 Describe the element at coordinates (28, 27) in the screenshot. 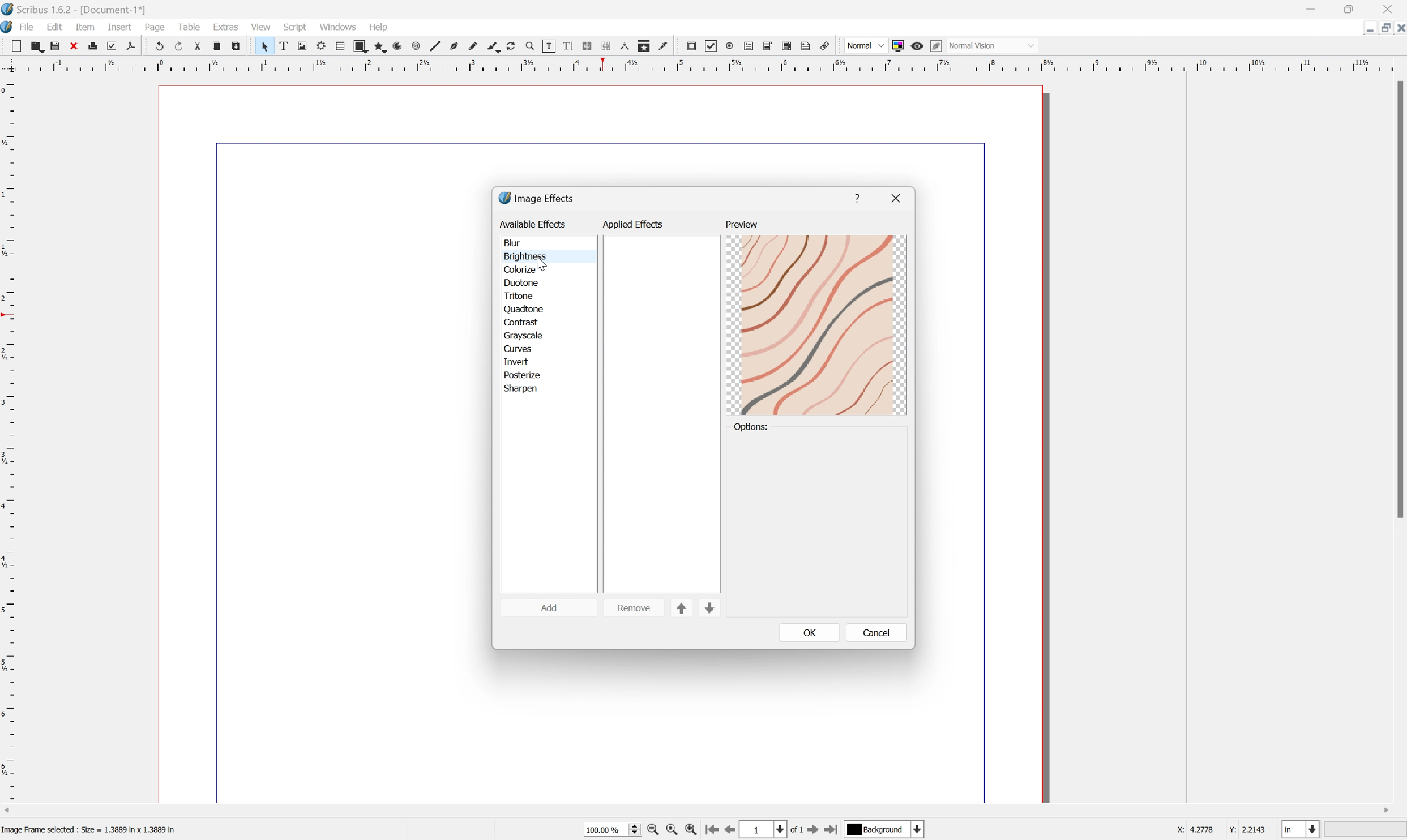

I see `File` at that location.